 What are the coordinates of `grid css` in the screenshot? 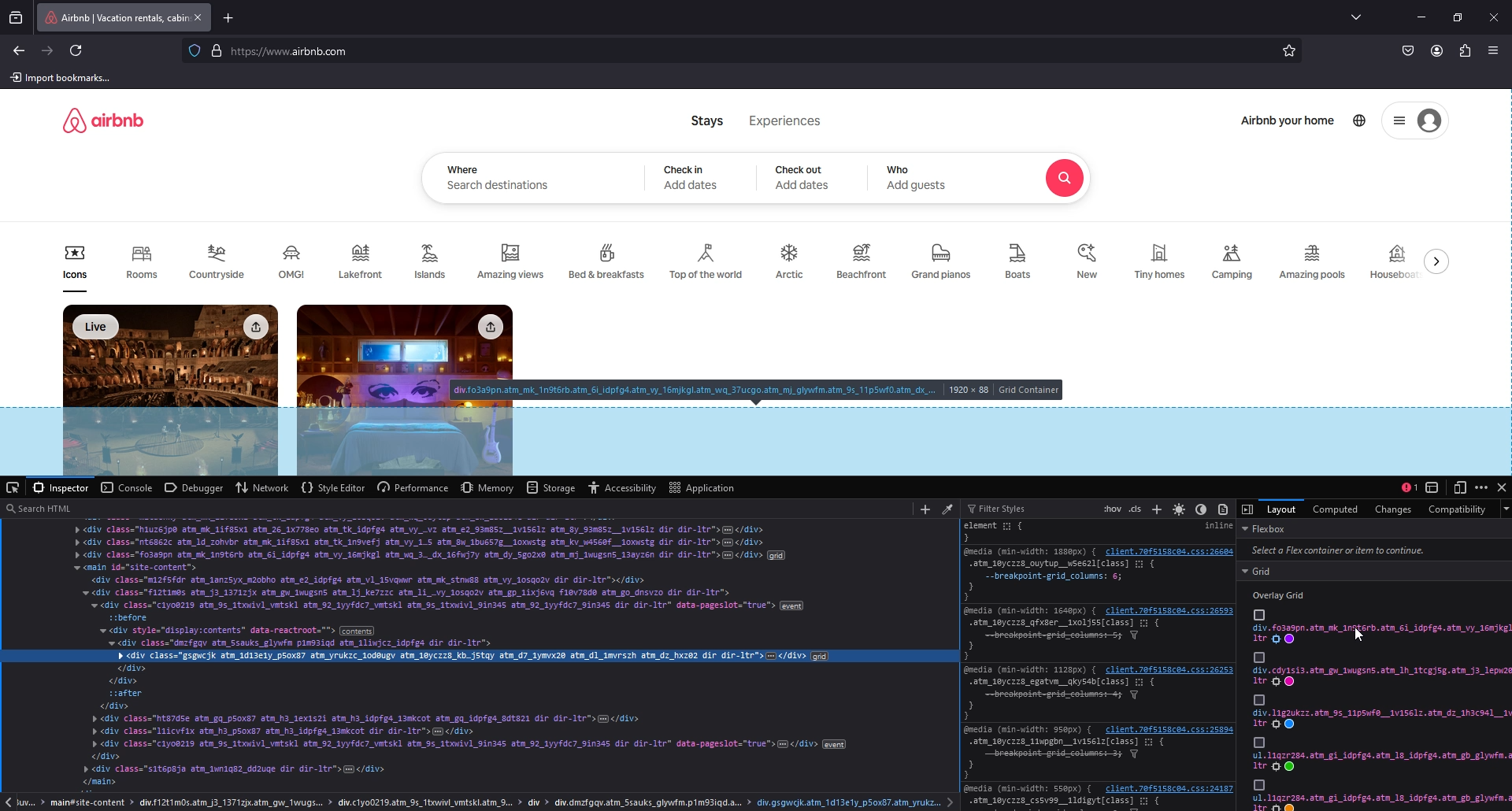 It's located at (1383, 802).